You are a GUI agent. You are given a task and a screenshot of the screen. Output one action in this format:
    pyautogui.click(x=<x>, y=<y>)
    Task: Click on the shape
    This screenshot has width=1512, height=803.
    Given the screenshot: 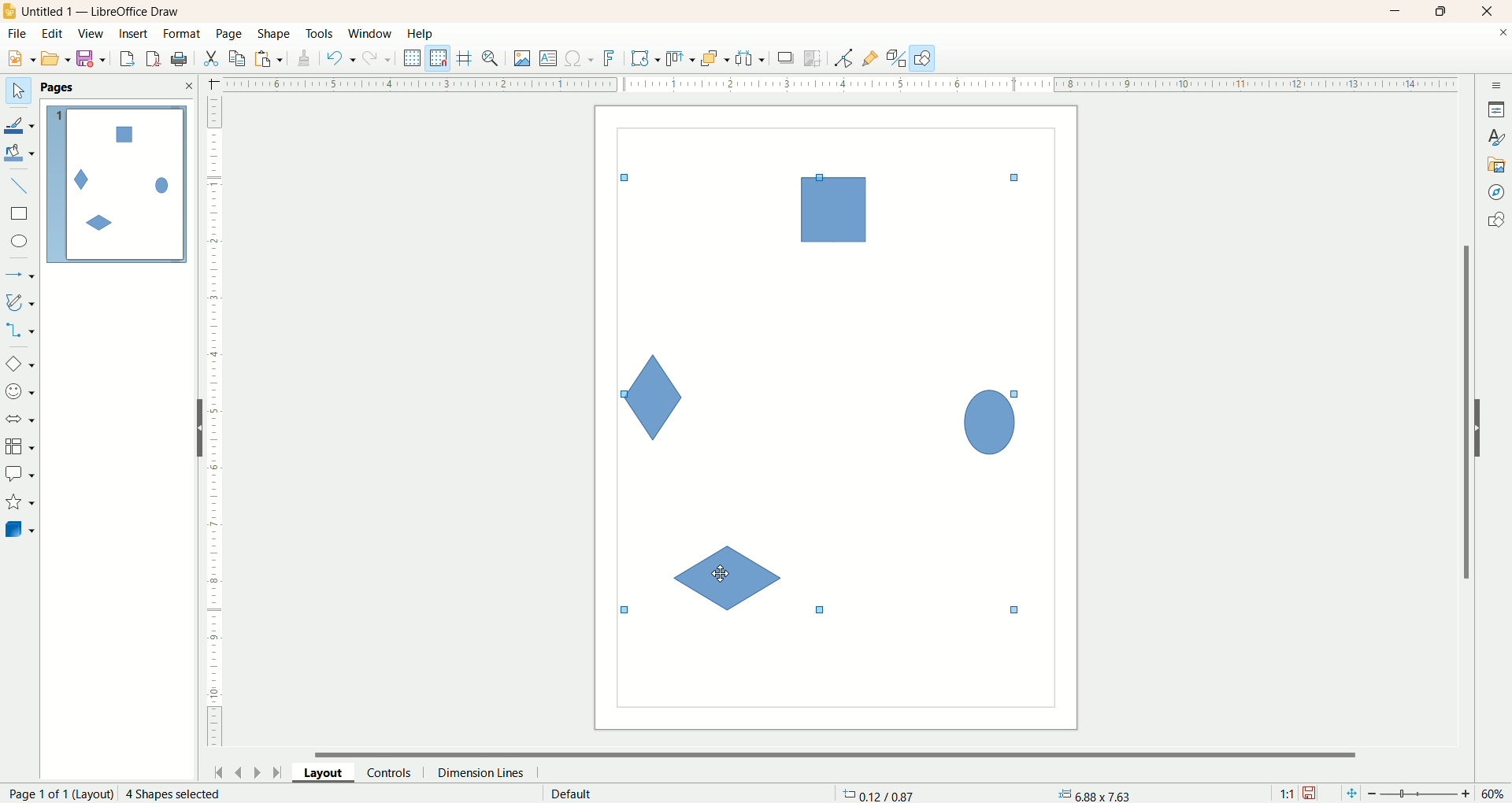 What is the action you would take?
    pyautogui.click(x=275, y=35)
    